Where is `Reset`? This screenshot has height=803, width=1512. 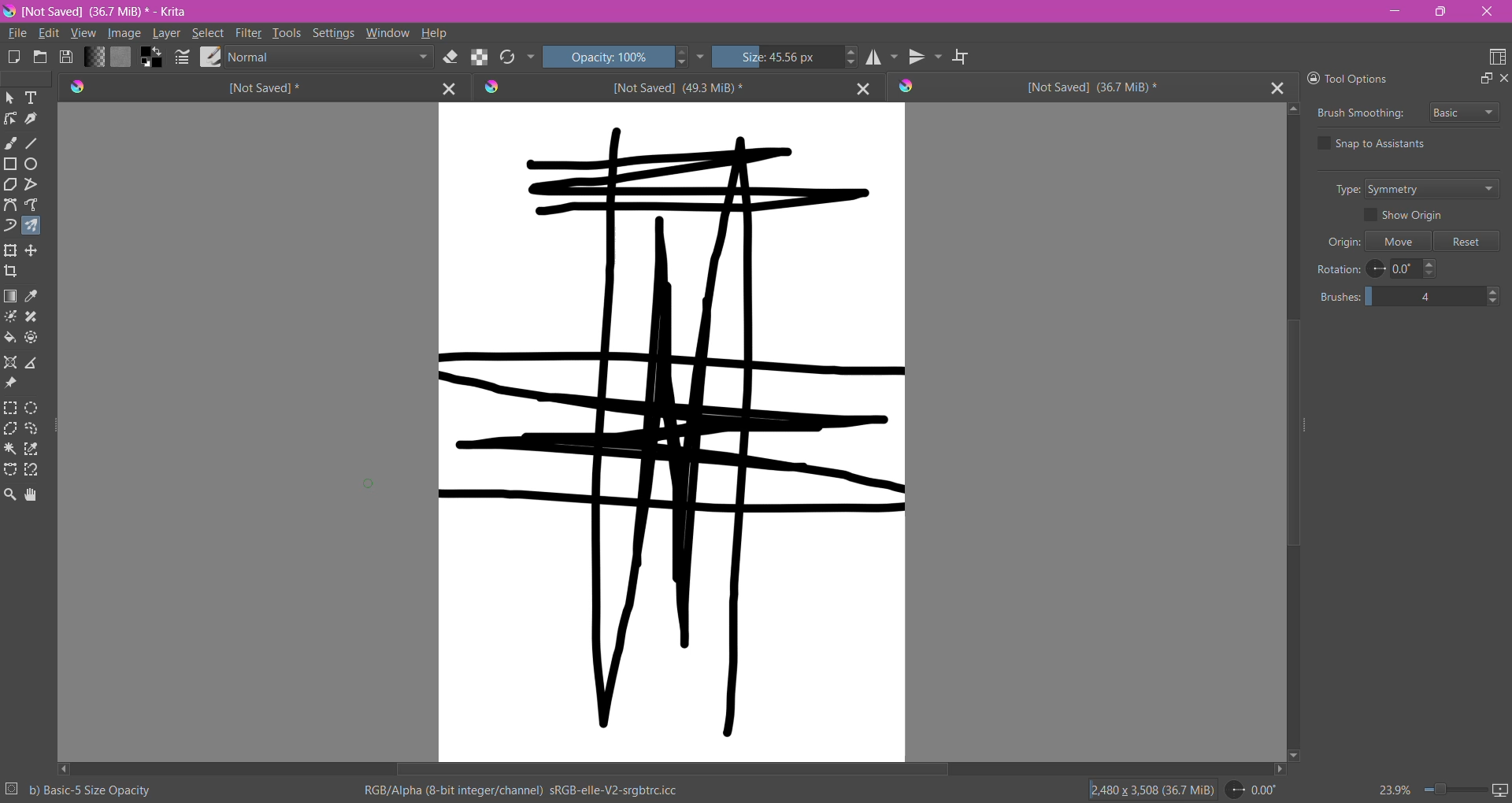
Reset is located at coordinates (1466, 242).